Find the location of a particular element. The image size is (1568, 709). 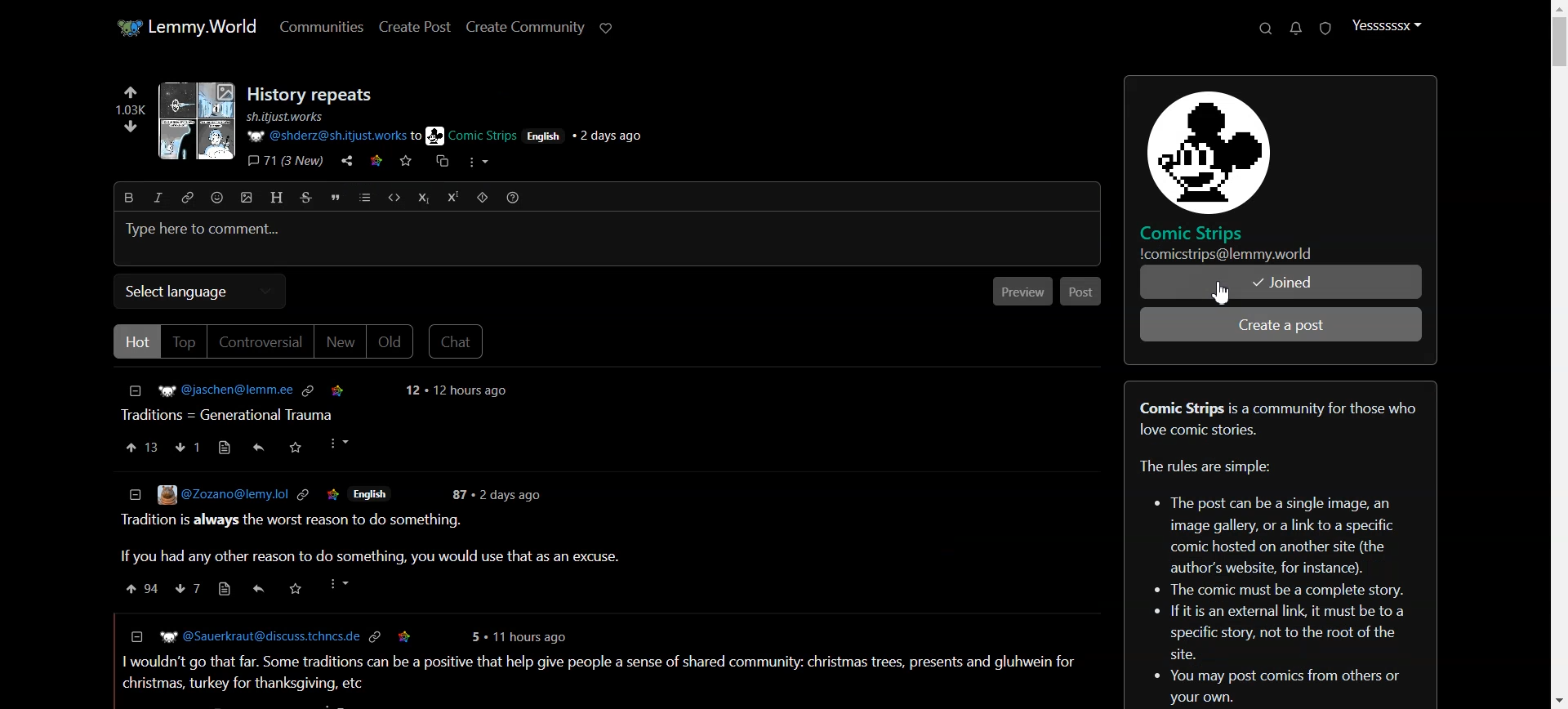

superscript is located at coordinates (452, 197).